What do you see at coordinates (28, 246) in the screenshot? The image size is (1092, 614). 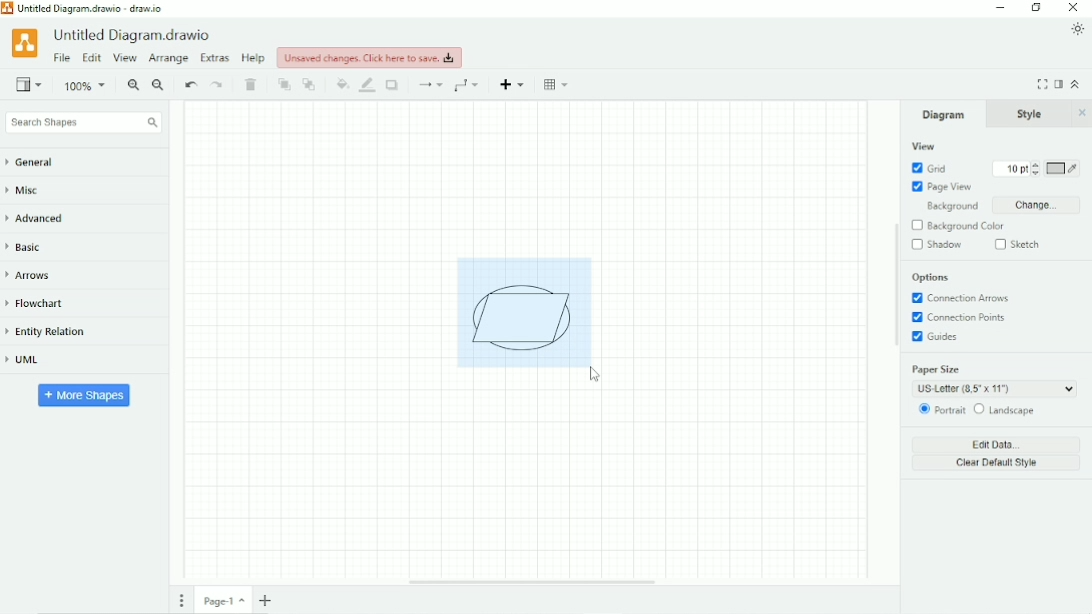 I see `Basic` at bounding box center [28, 246].